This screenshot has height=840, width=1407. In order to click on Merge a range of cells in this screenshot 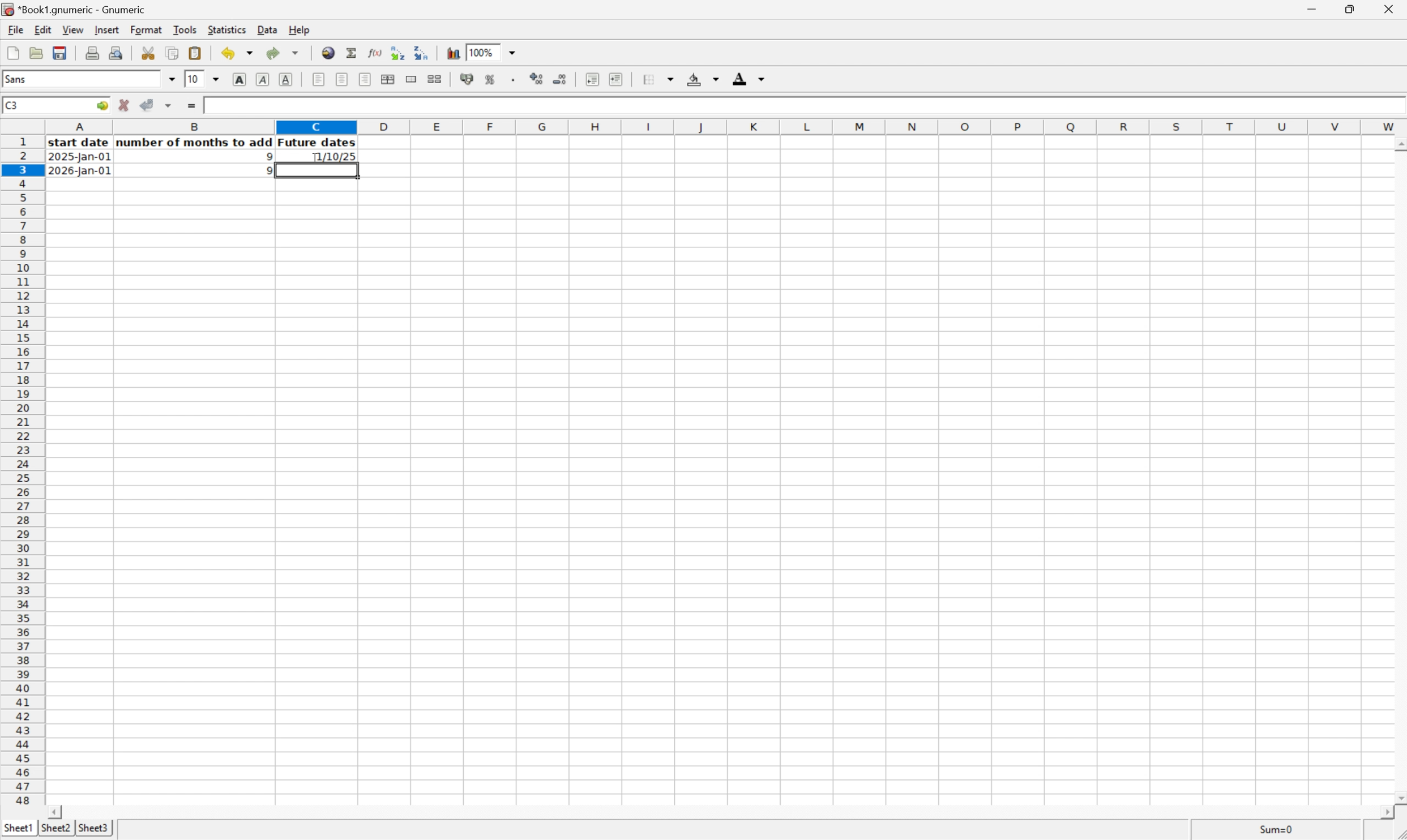, I will do `click(409, 78)`.